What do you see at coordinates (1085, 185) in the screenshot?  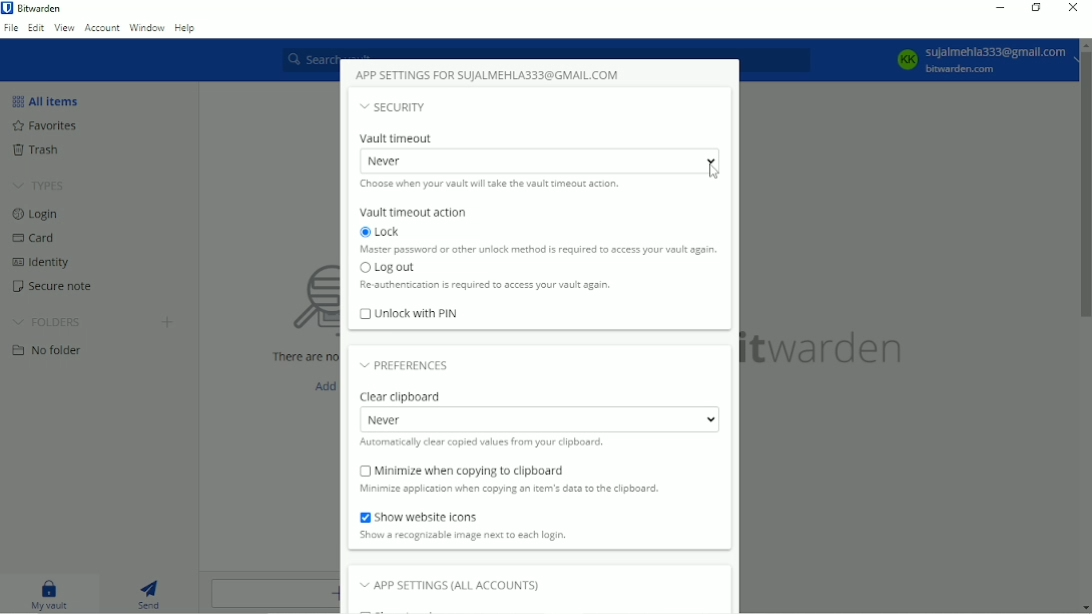 I see `Vertical scrollbar` at bounding box center [1085, 185].